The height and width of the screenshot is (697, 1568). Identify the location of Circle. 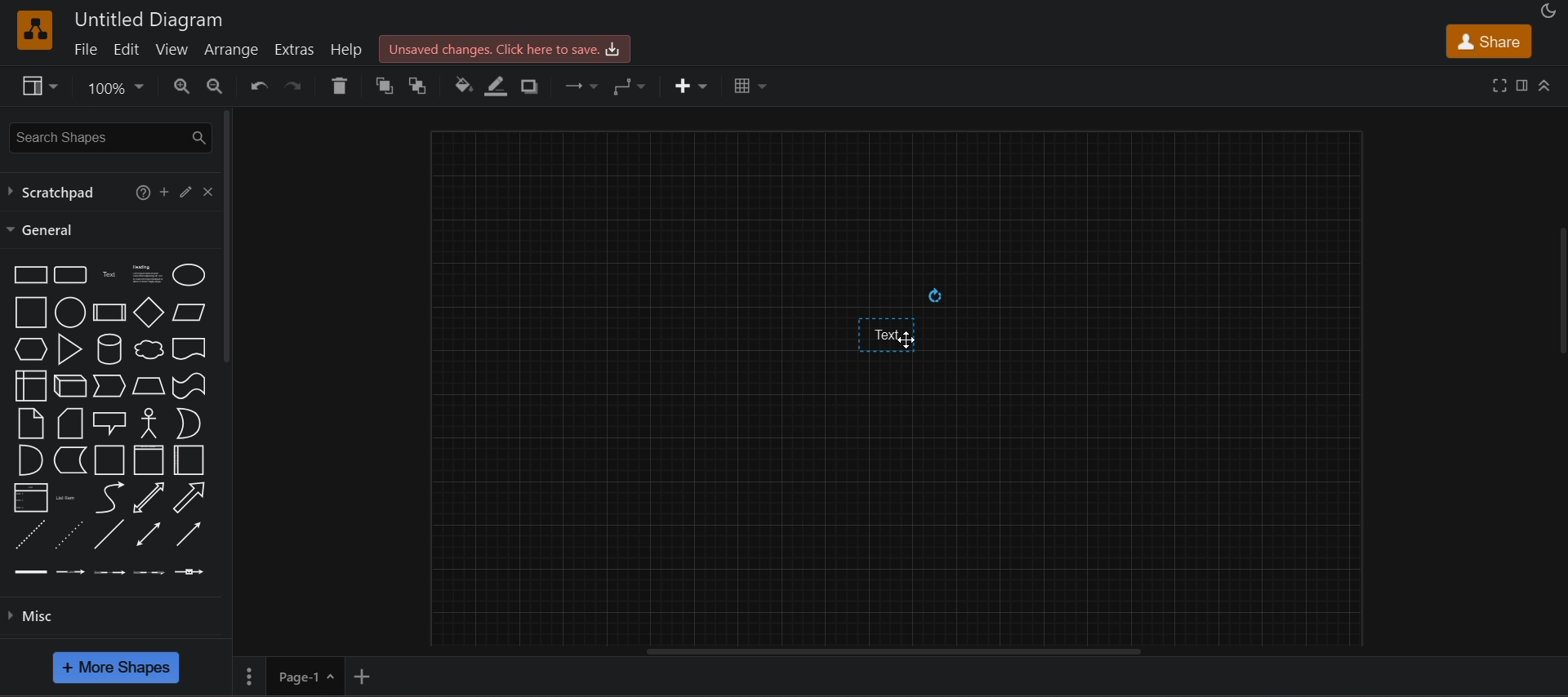
(70, 312).